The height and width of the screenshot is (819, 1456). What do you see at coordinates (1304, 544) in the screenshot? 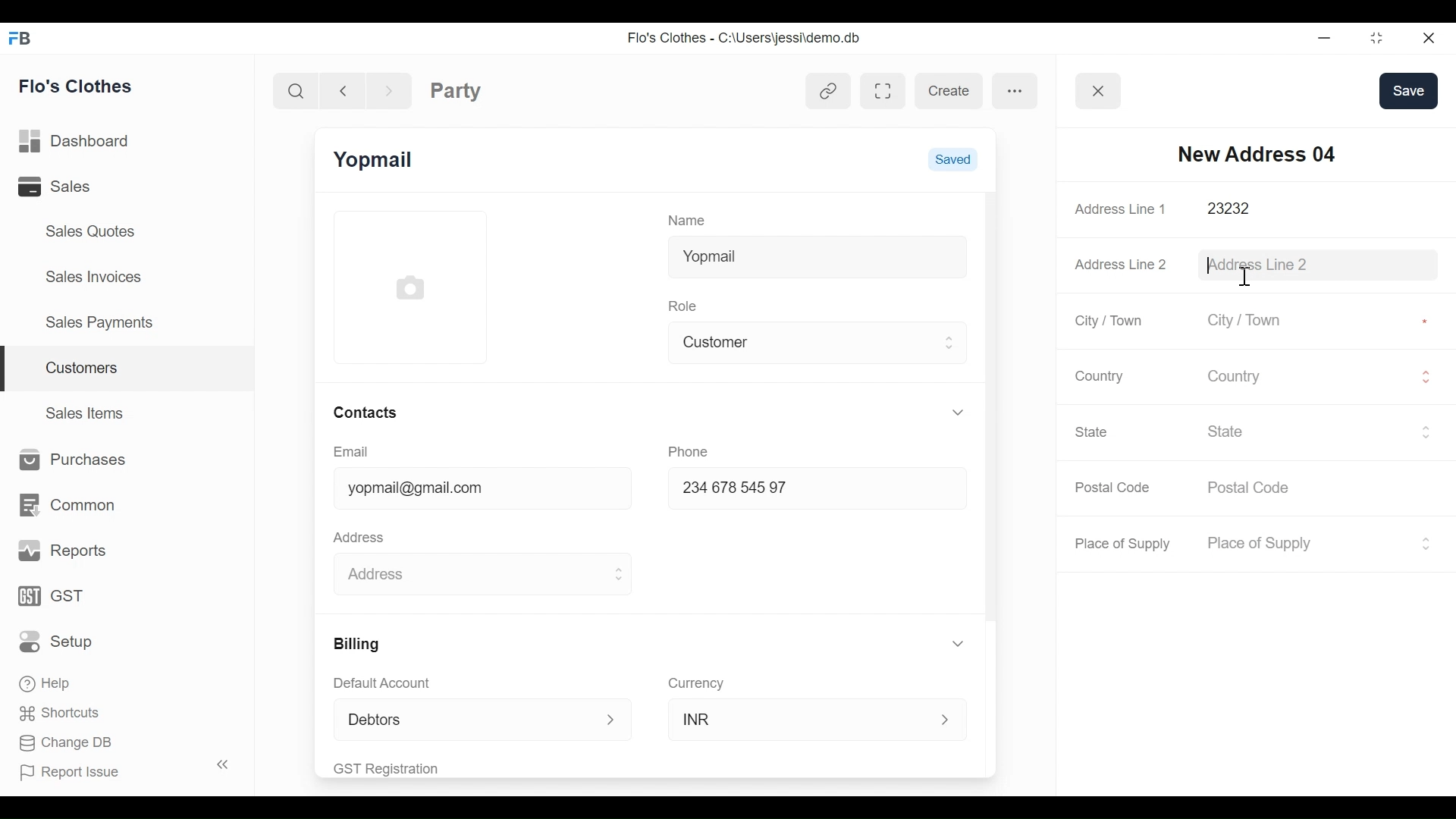
I see `Place of Supply` at bounding box center [1304, 544].